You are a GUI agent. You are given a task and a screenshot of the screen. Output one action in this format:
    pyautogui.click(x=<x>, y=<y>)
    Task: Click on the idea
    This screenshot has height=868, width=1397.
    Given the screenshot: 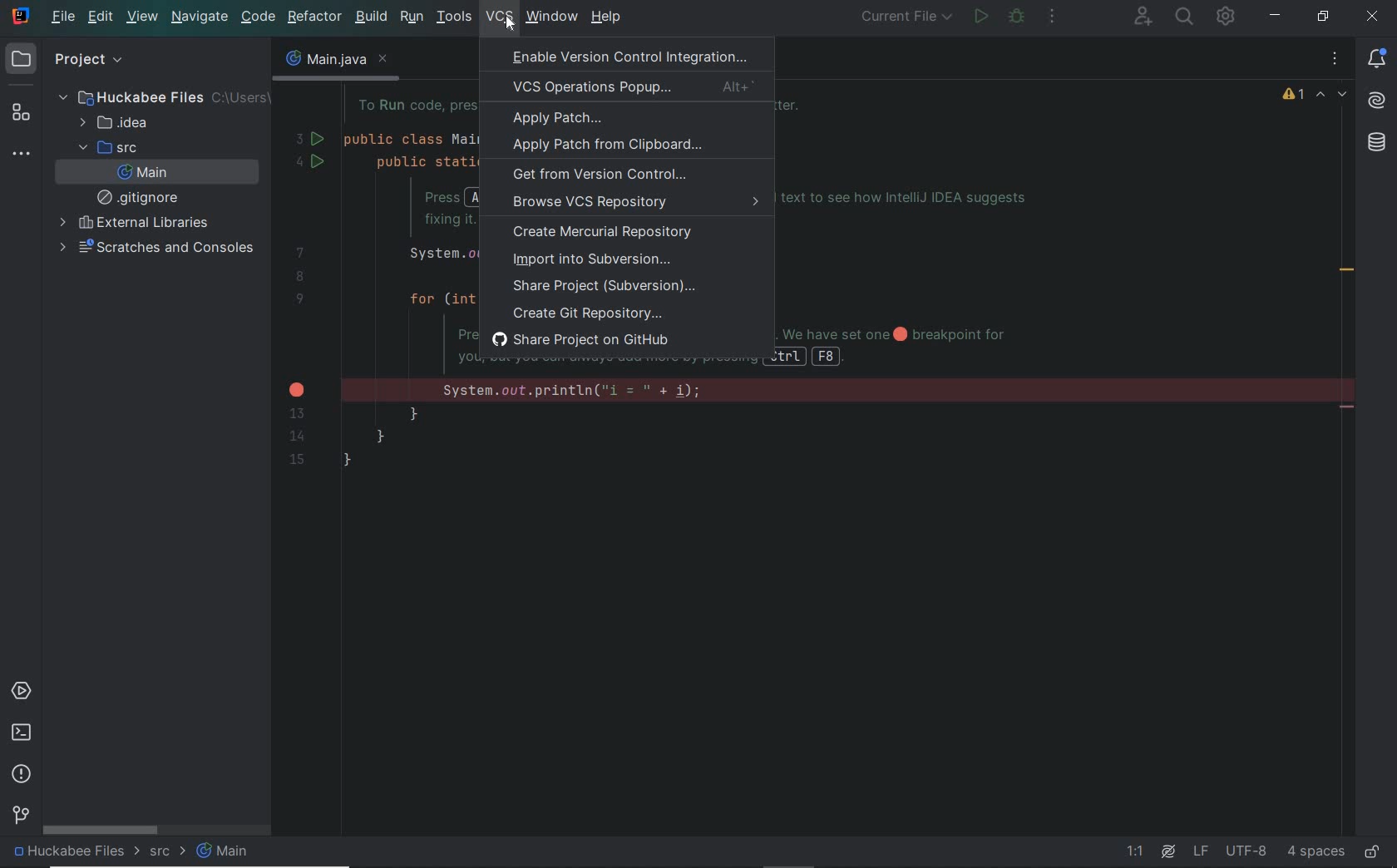 What is the action you would take?
    pyautogui.click(x=119, y=123)
    